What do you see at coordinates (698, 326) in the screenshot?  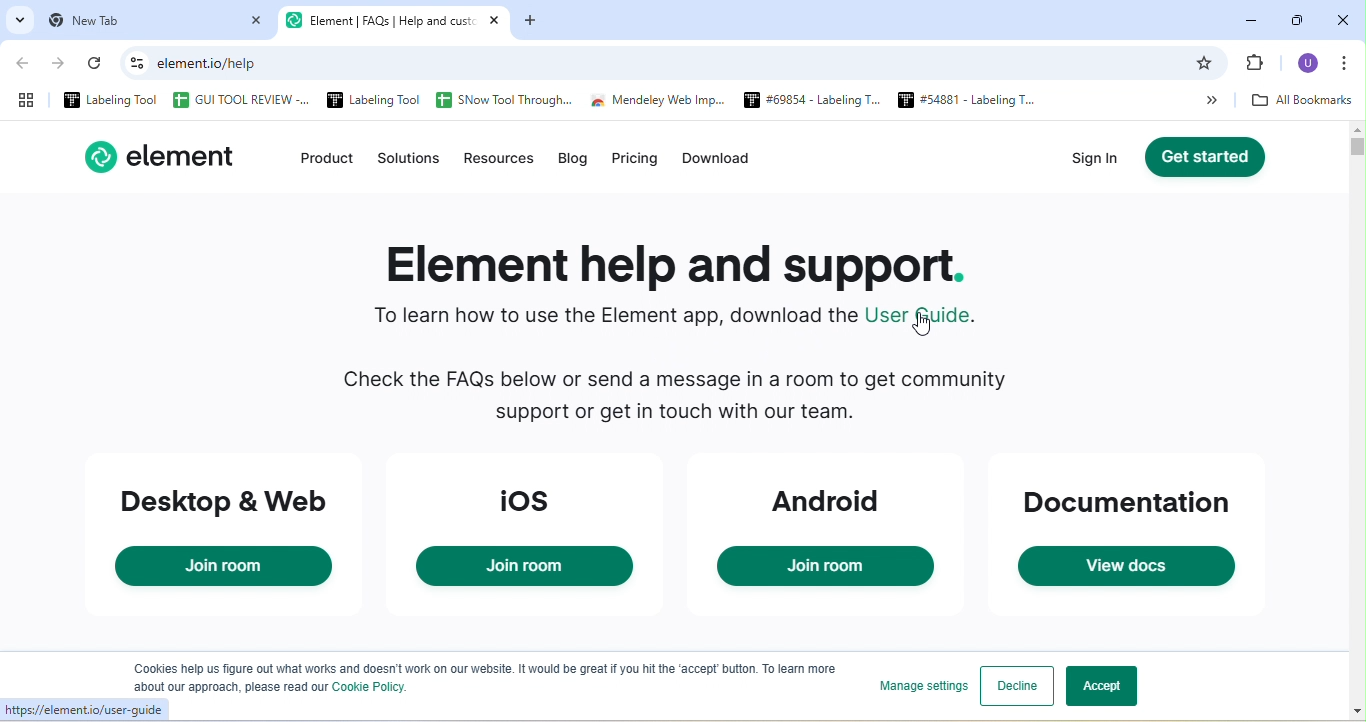 I see `To learn how to use the Element app, download the User guide.` at bounding box center [698, 326].